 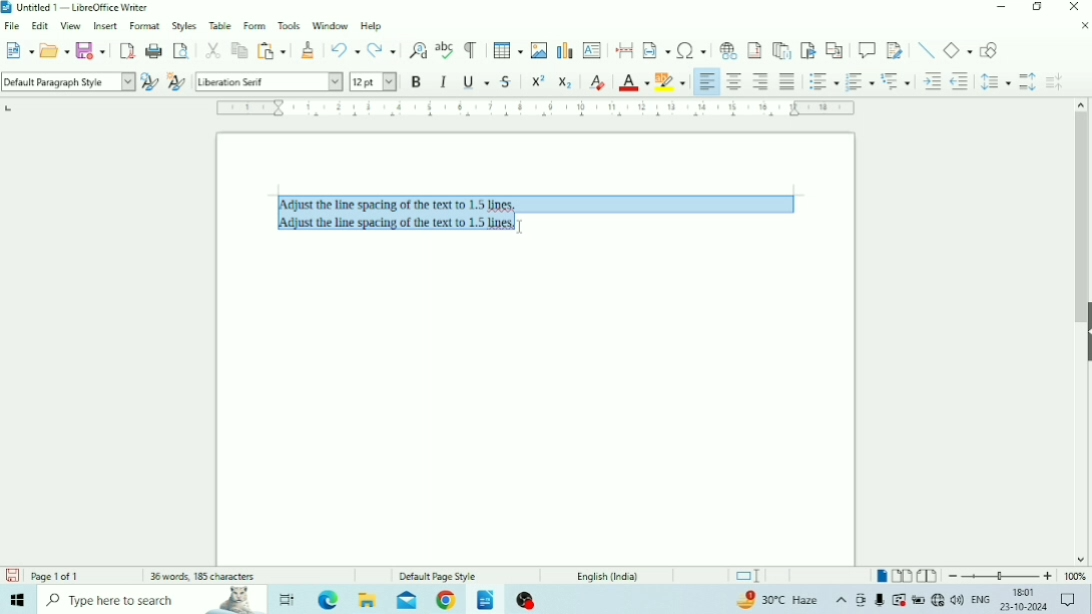 What do you see at coordinates (879, 600) in the screenshot?
I see `Mic` at bounding box center [879, 600].